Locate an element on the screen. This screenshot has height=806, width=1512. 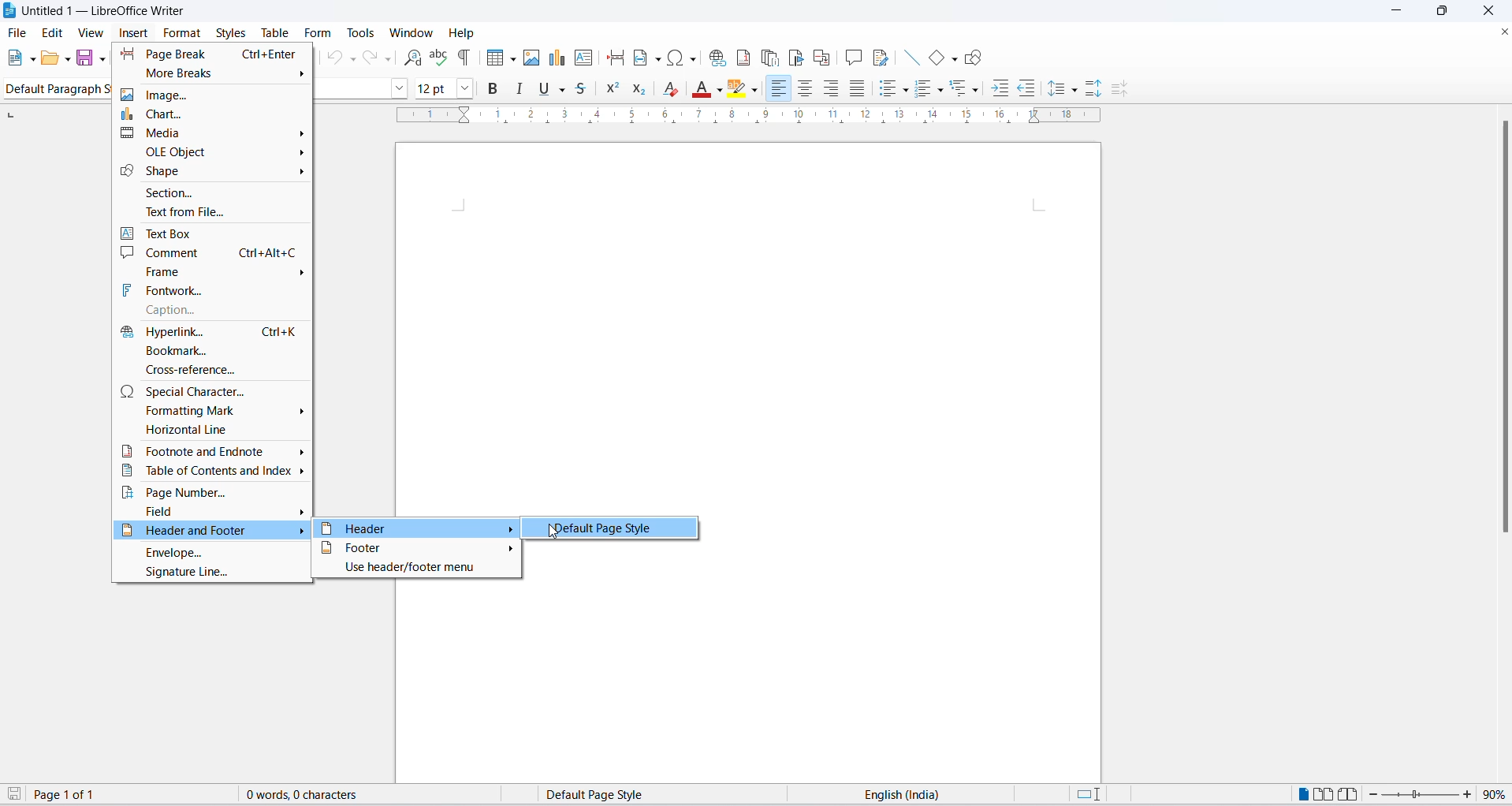
more breaks is located at coordinates (211, 75).